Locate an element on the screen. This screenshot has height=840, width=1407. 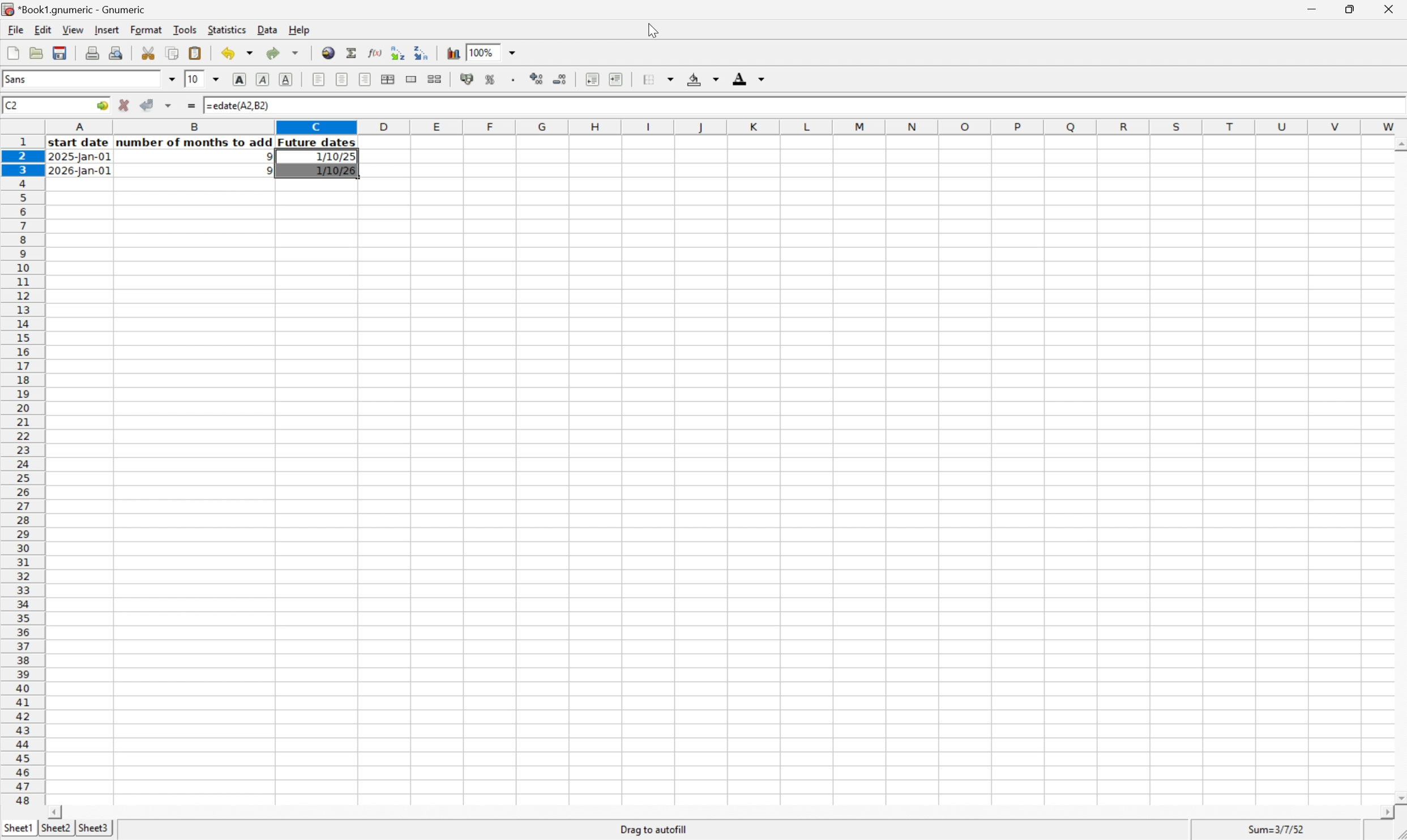
1/10/26 is located at coordinates (334, 172).